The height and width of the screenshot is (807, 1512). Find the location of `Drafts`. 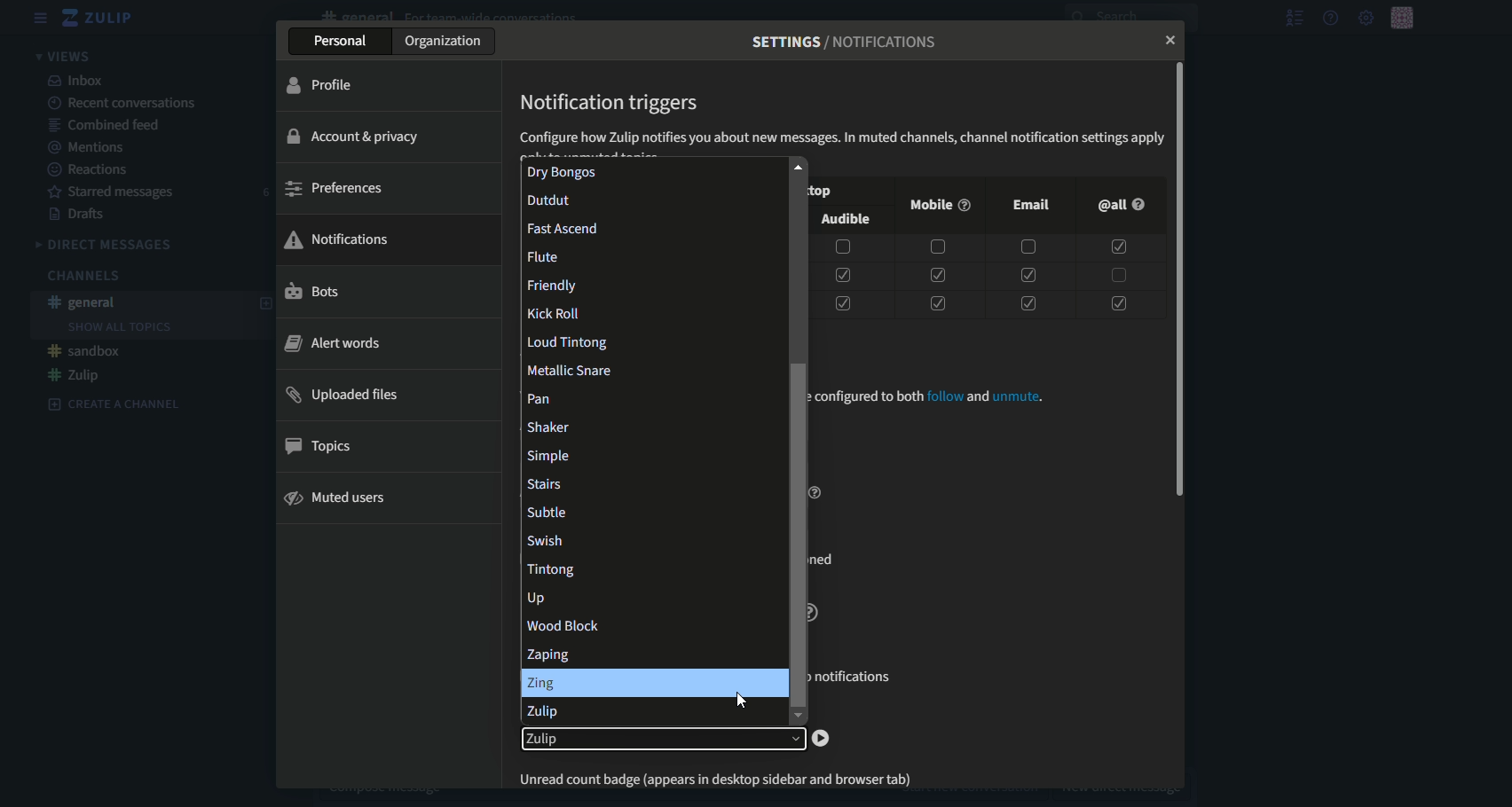

Drafts is located at coordinates (81, 215).